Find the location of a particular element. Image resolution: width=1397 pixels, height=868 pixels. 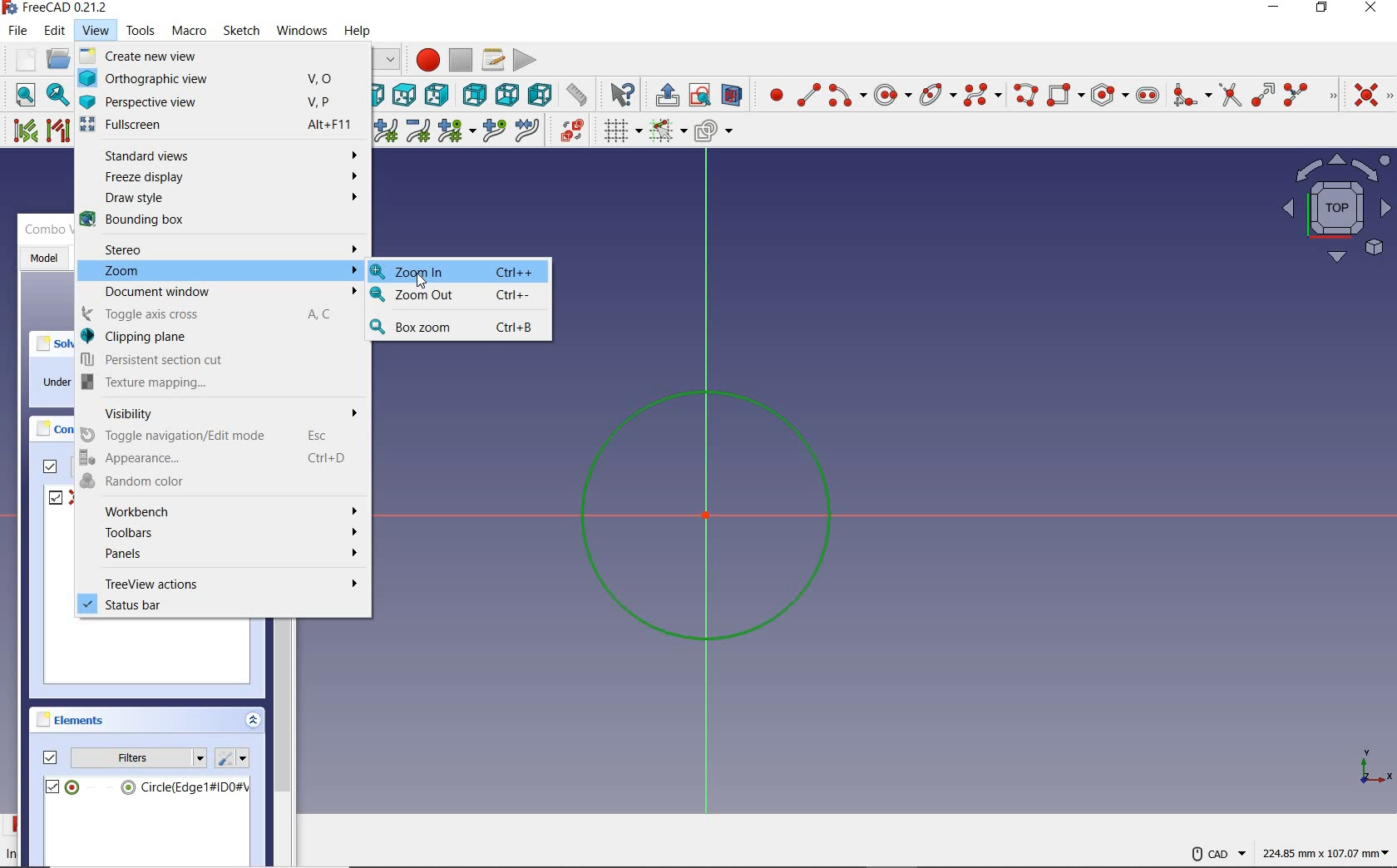

combo view is located at coordinates (46, 231).